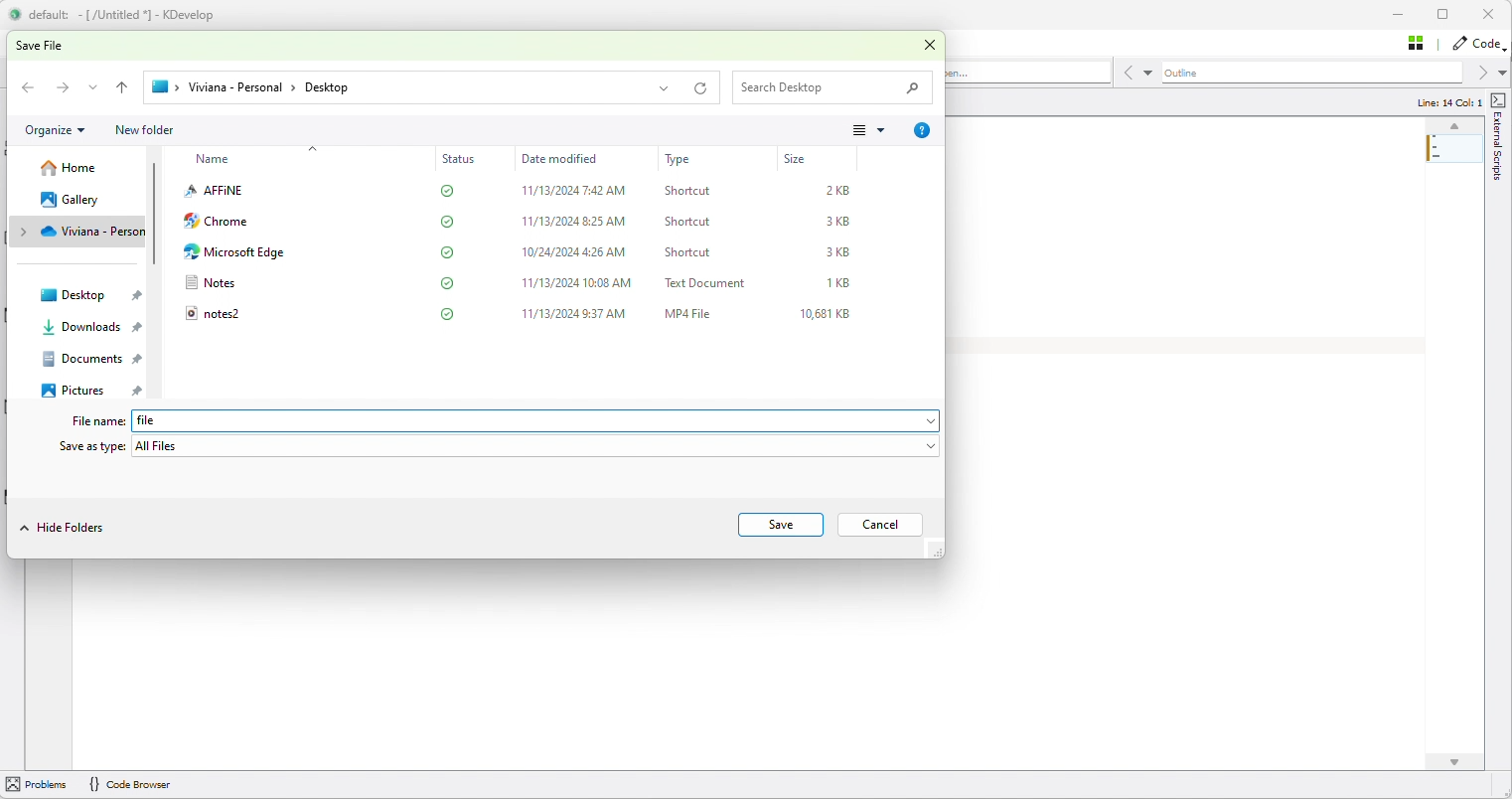 This screenshot has width=1512, height=799. I want to click on View, so click(873, 129).